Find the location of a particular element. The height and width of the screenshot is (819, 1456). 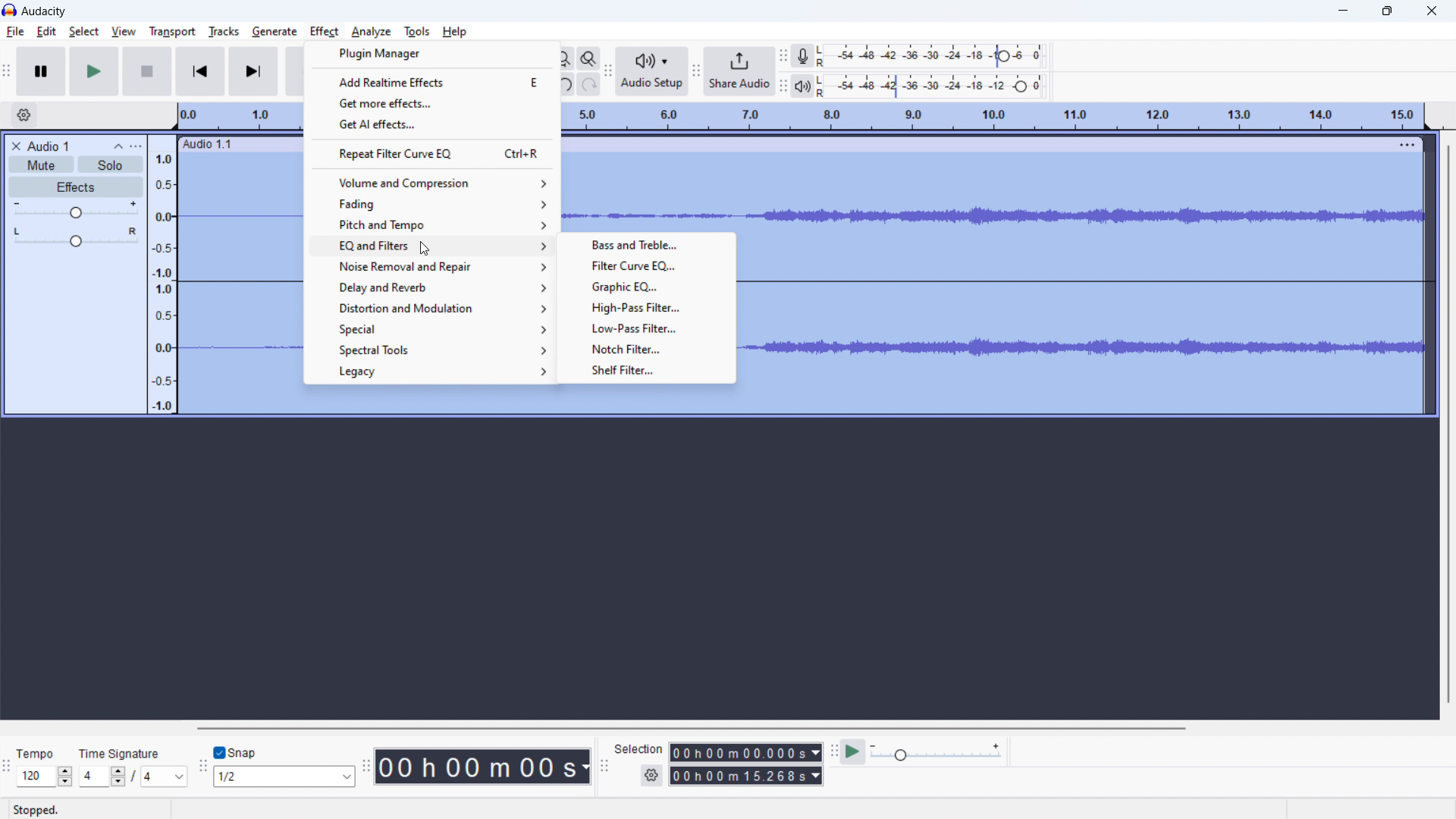

share audio toolbar is located at coordinates (698, 71).